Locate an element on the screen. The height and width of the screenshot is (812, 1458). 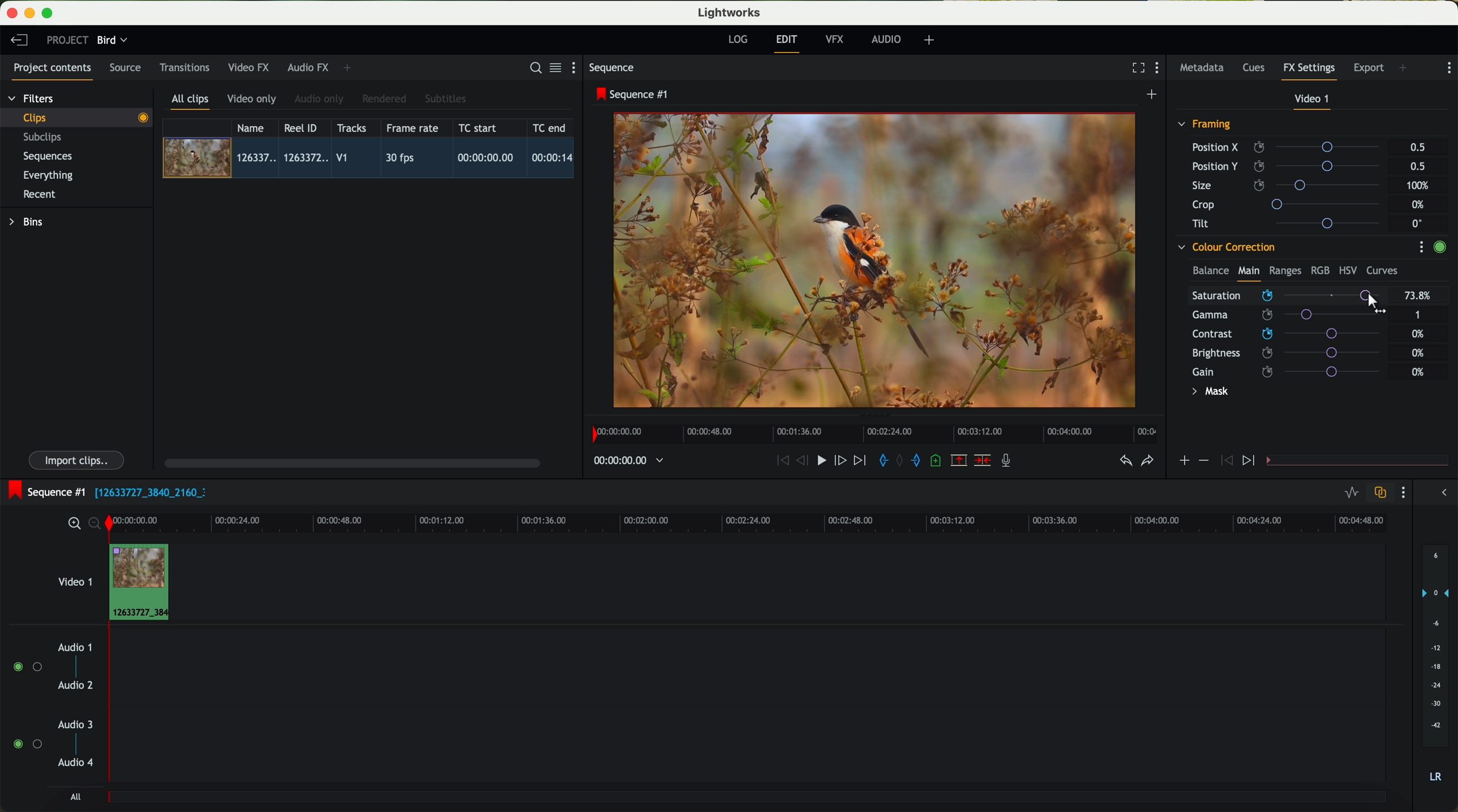
timeline is located at coordinates (871, 431).